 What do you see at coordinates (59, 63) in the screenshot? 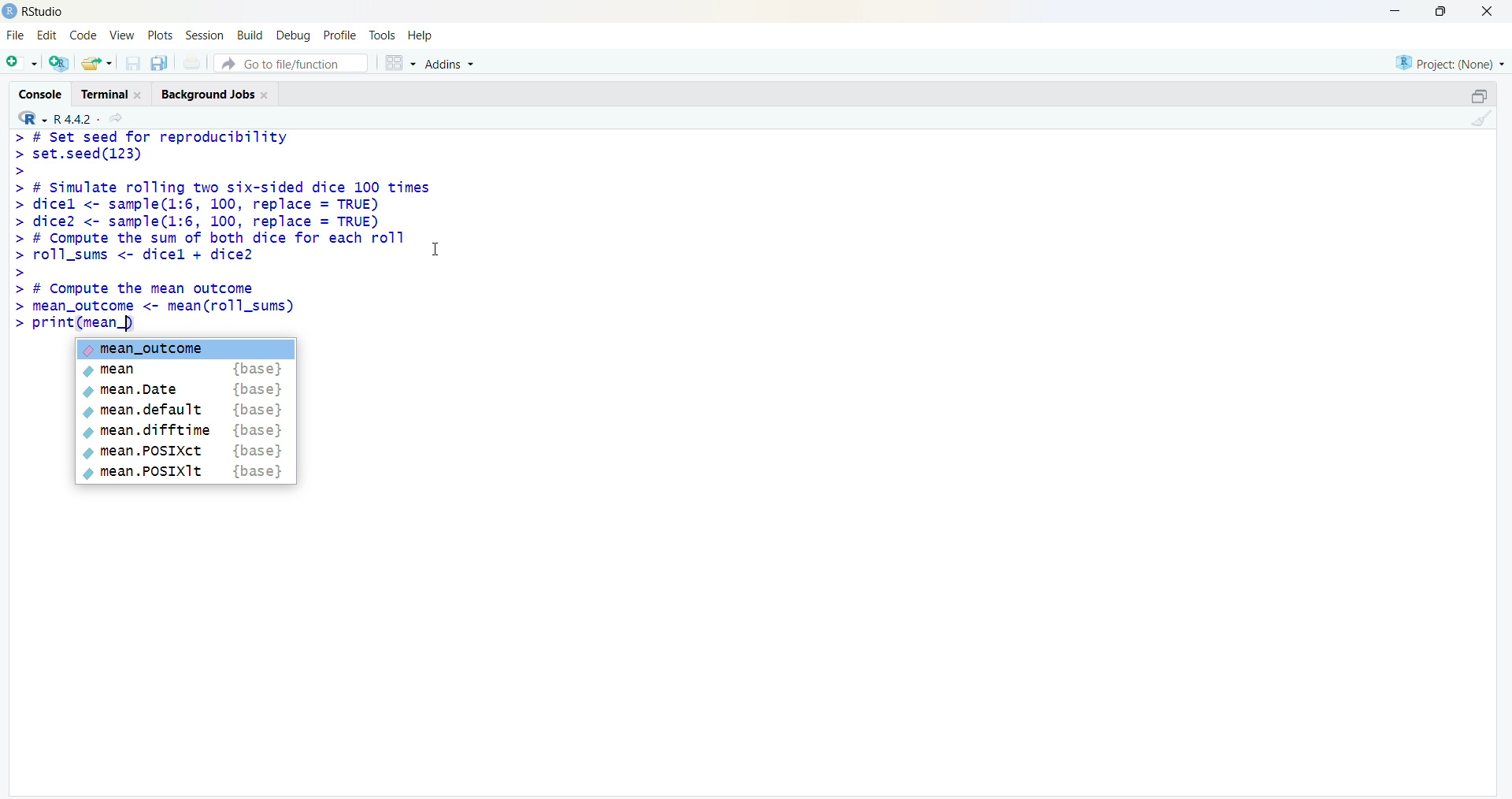
I see `add R file` at bounding box center [59, 63].